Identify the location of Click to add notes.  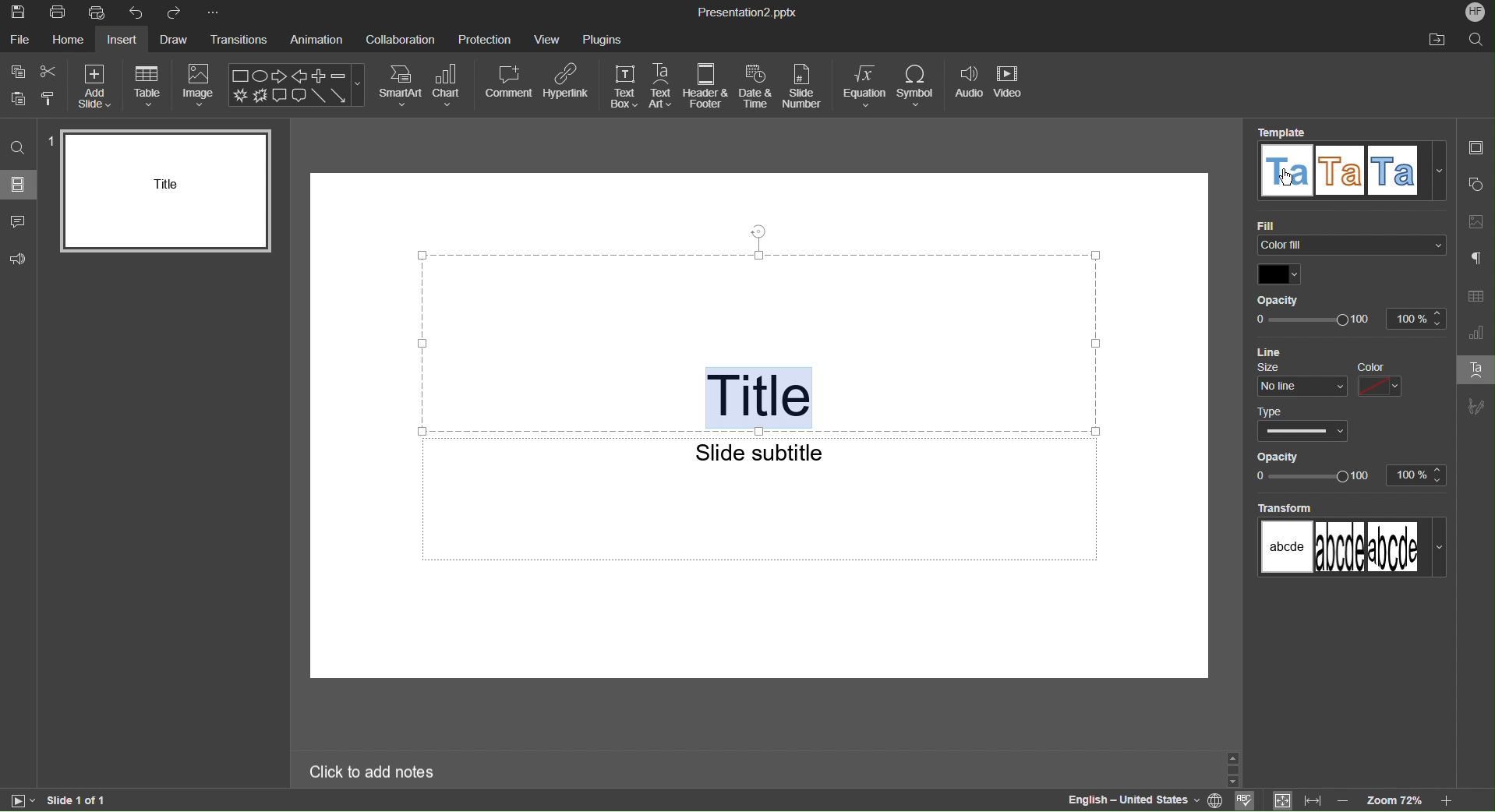
(372, 773).